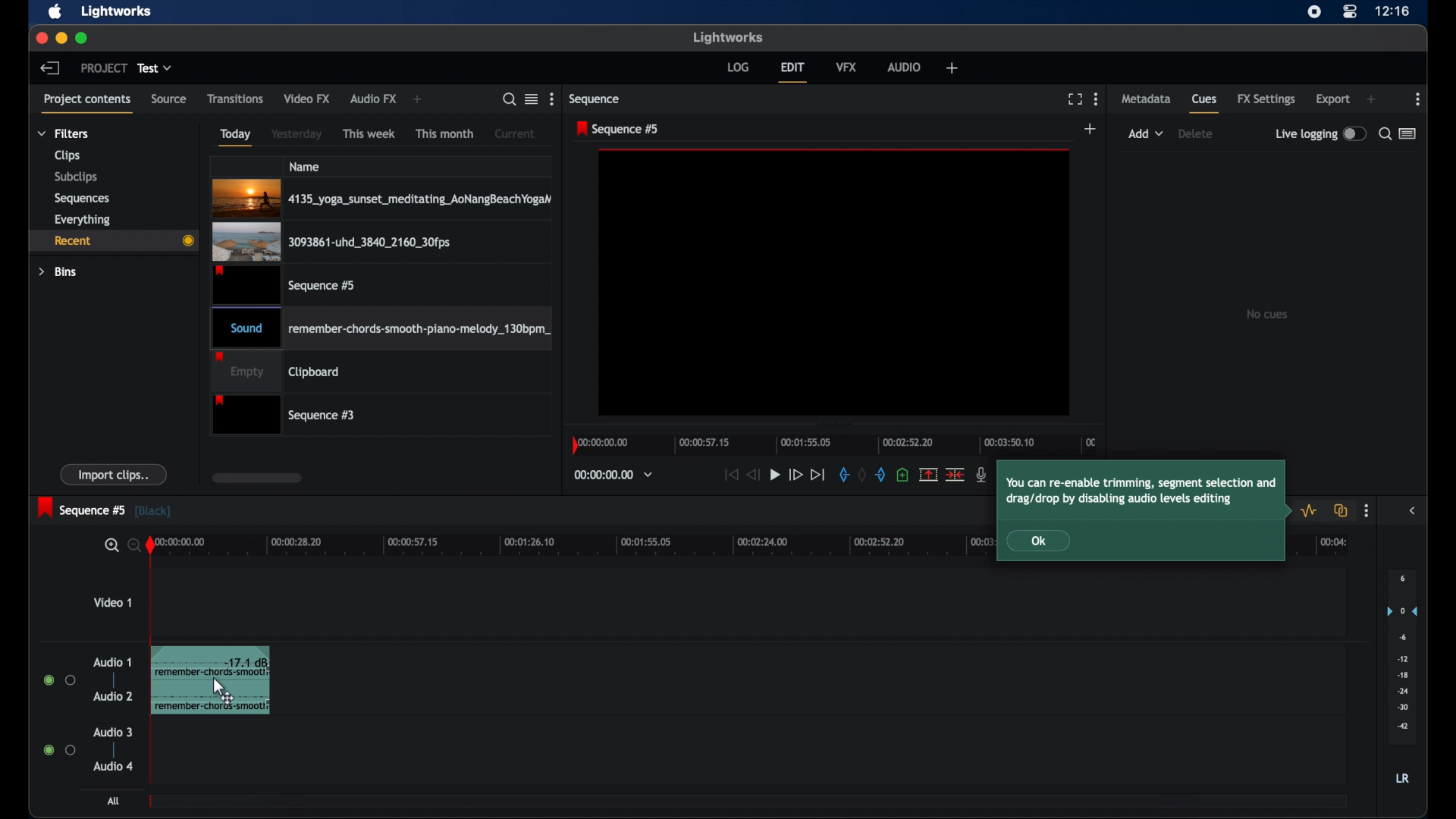 Image resolution: width=1456 pixels, height=819 pixels. What do you see at coordinates (383, 197) in the screenshot?
I see `4135_yoga_sunset_meditating_AoNangBeachYogaN` at bounding box center [383, 197].